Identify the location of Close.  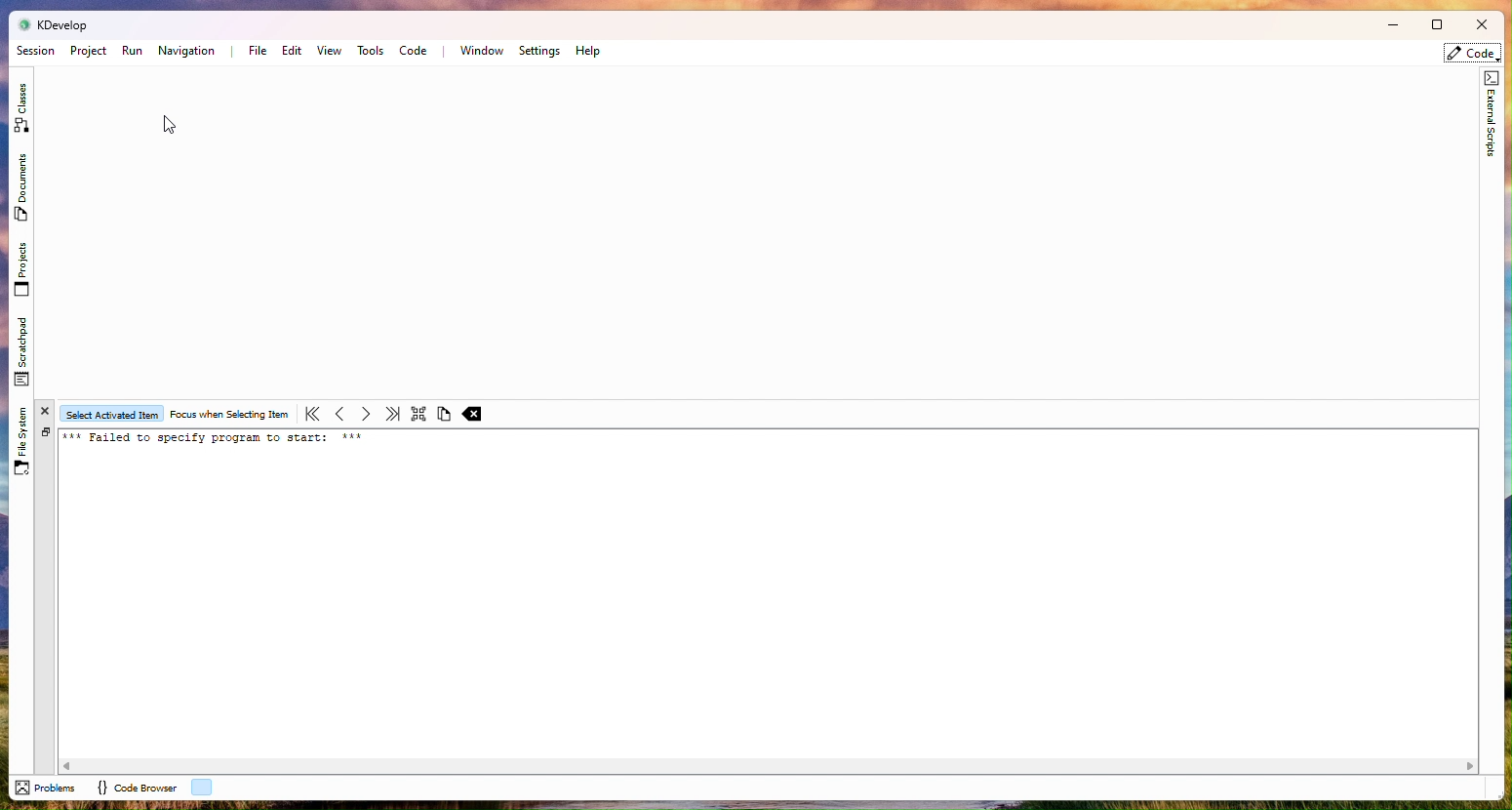
(47, 410).